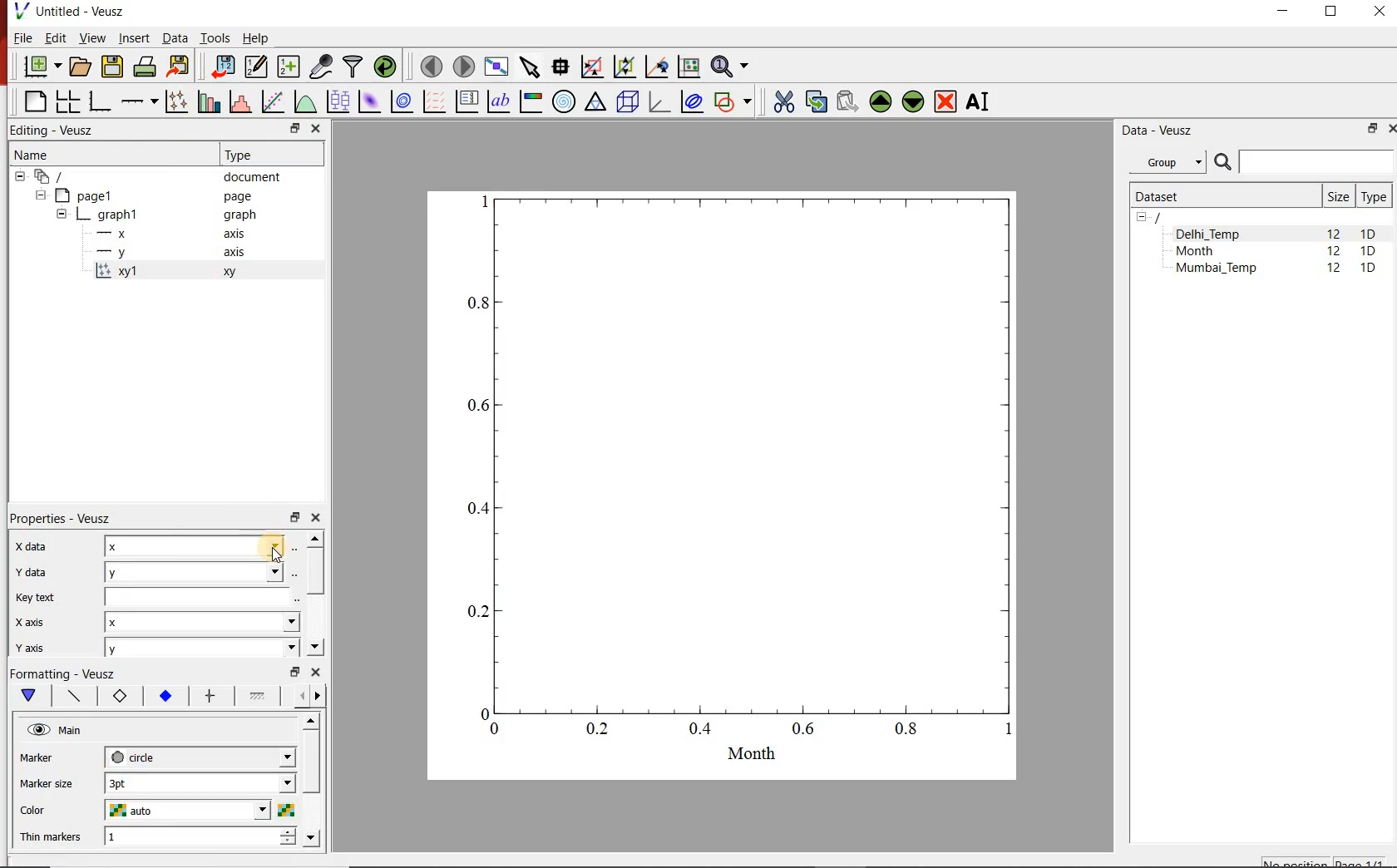 The height and width of the screenshot is (868, 1397). I want to click on filter data, so click(353, 67).